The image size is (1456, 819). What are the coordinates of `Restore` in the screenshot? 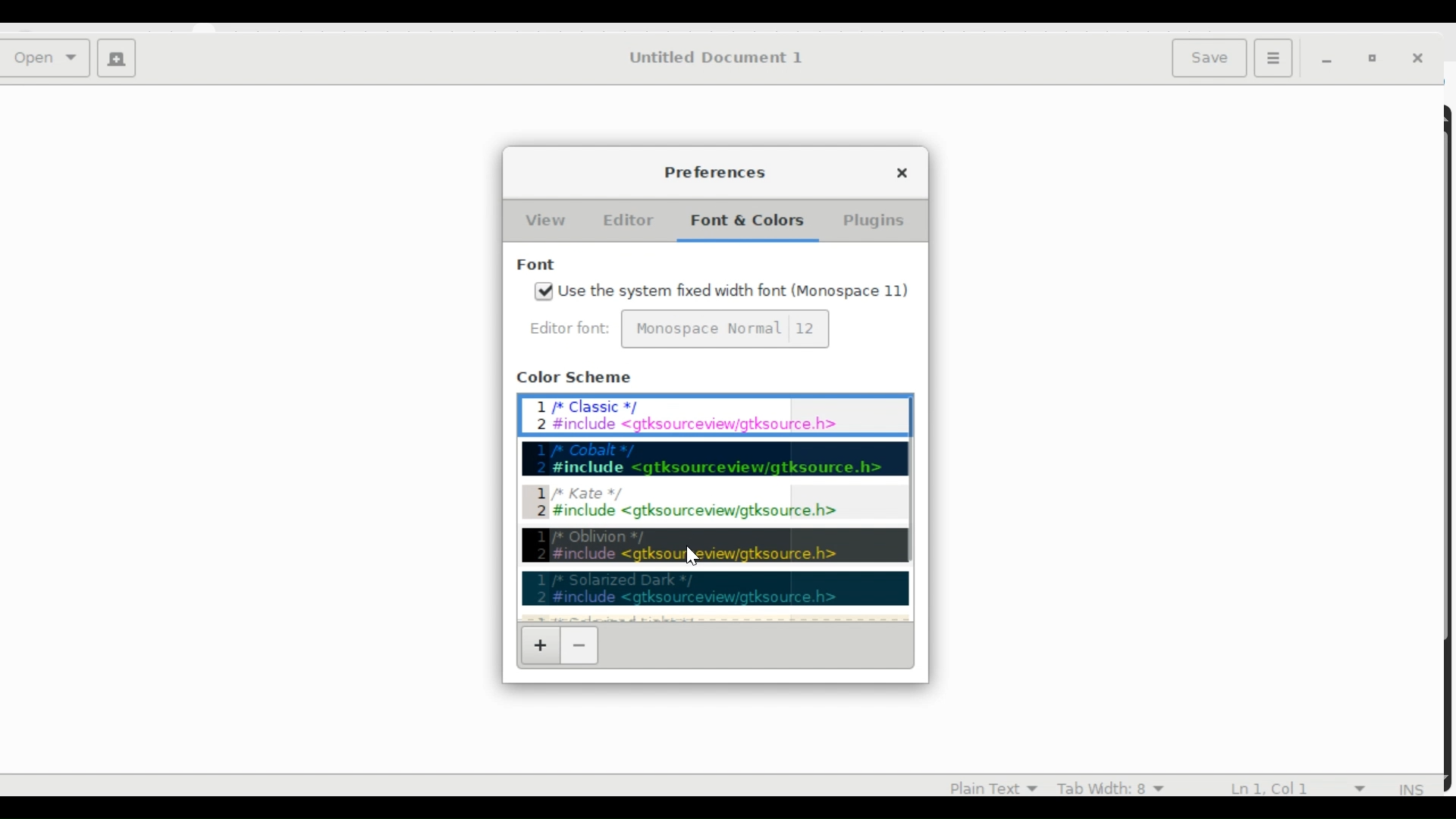 It's located at (1376, 59).